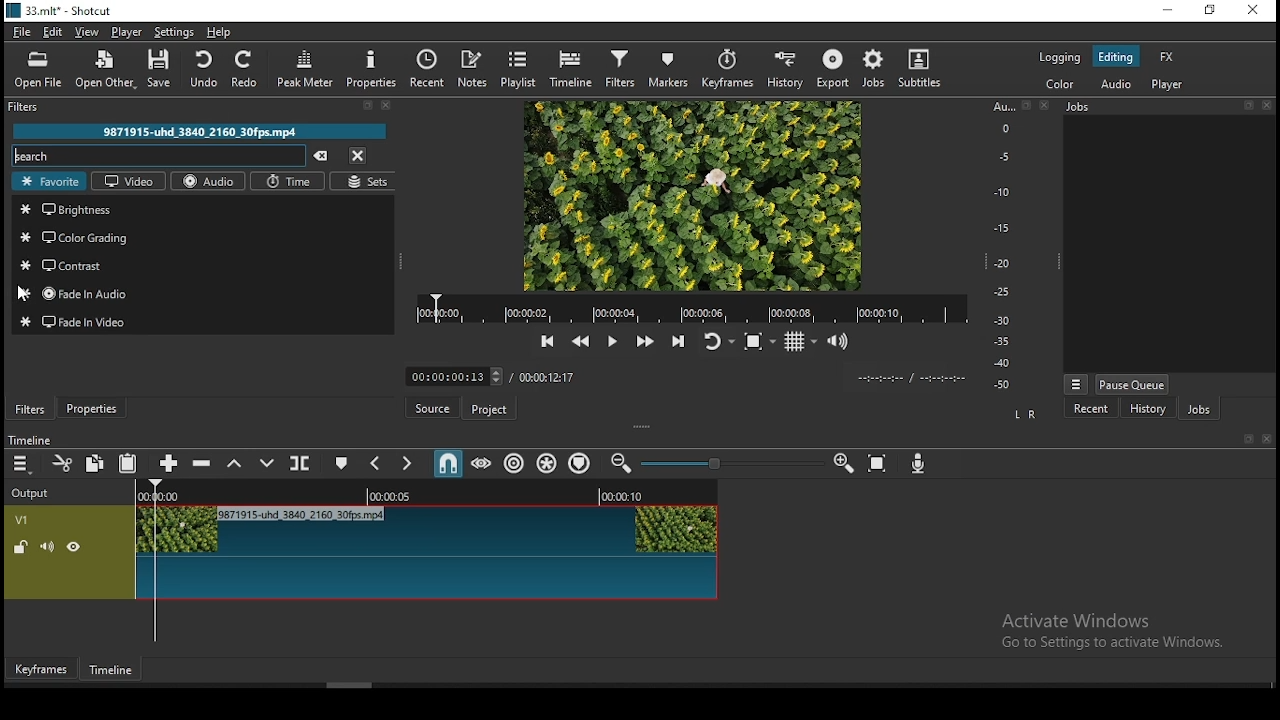 This screenshot has height=720, width=1280. What do you see at coordinates (1003, 190) in the screenshot?
I see `-10` at bounding box center [1003, 190].